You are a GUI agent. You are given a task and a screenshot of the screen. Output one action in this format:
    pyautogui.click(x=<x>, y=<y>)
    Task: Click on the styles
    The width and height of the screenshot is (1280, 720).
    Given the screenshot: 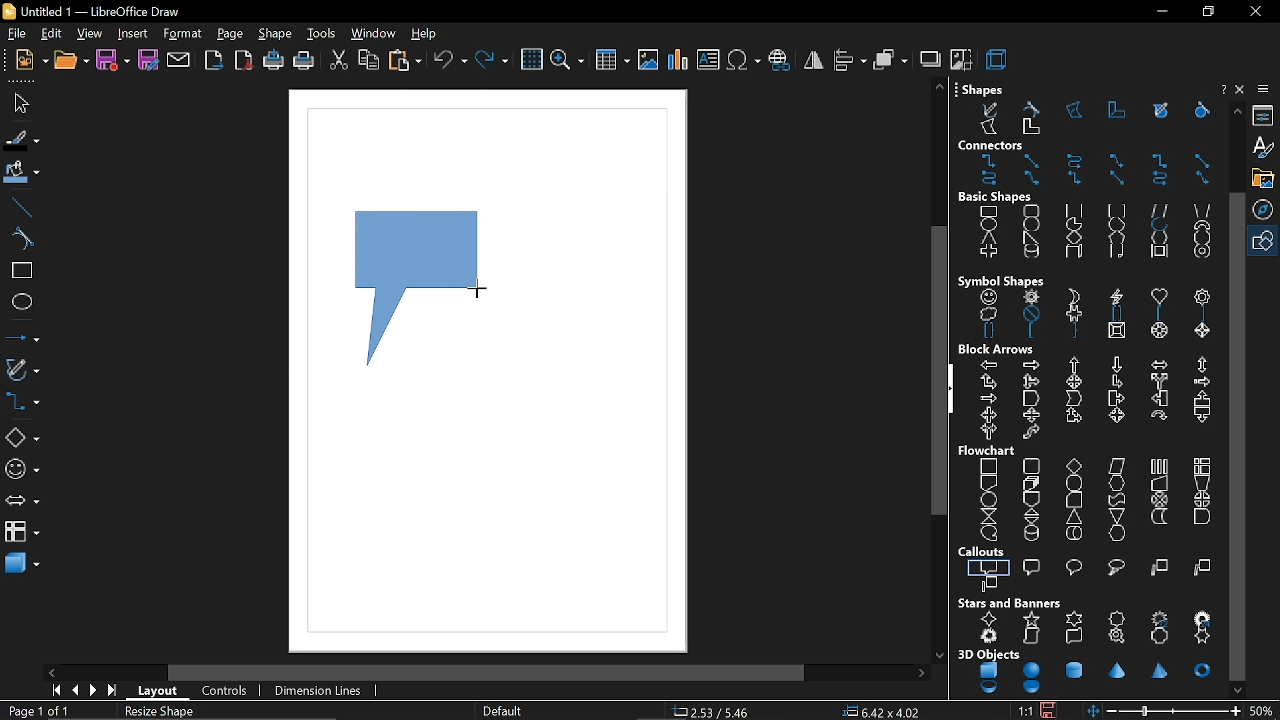 What is the action you would take?
    pyautogui.click(x=1265, y=149)
    